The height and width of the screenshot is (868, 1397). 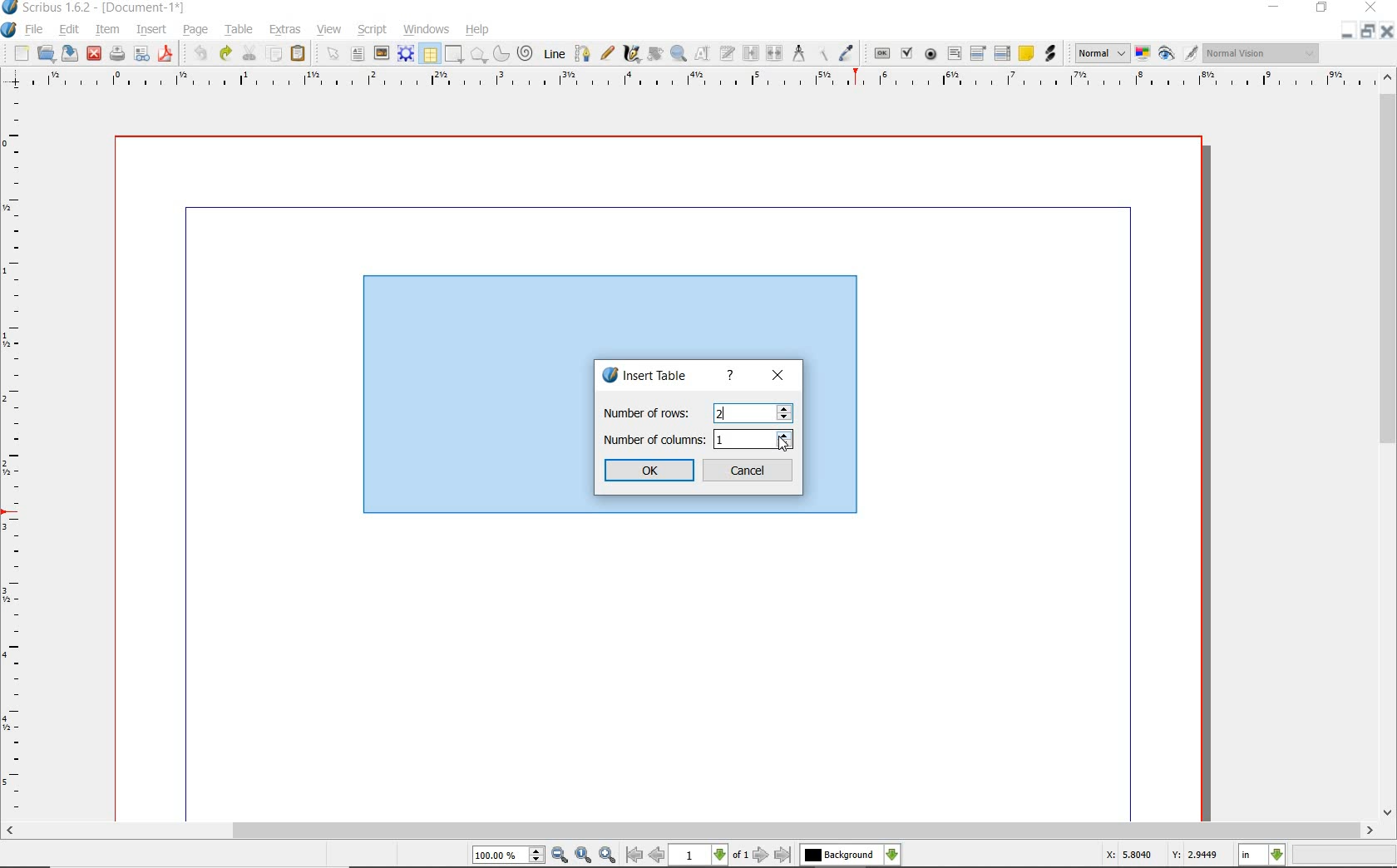 I want to click on open, so click(x=47, y=54).